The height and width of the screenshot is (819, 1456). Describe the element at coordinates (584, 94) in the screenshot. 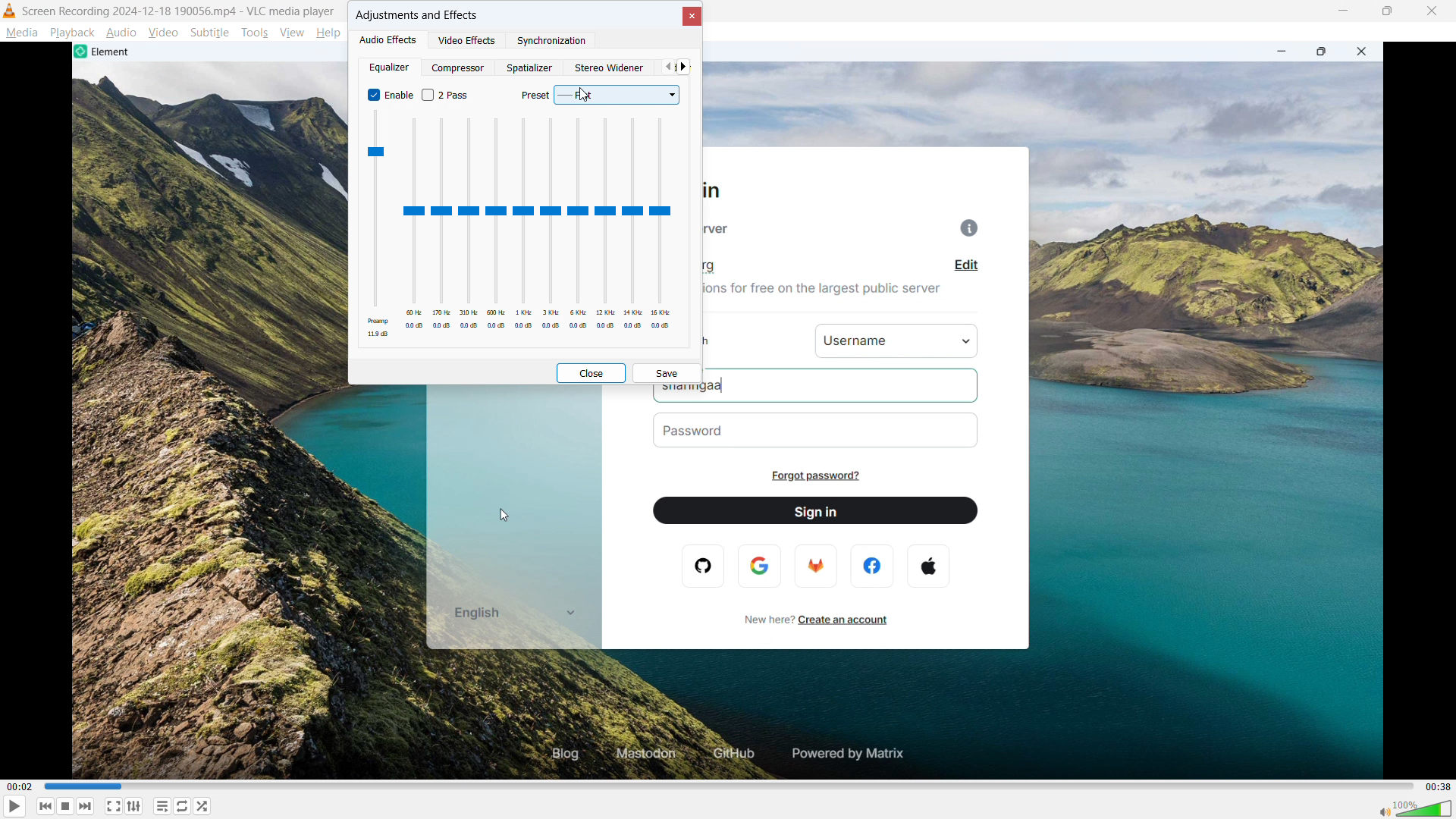

I see `Cursor` at that location.